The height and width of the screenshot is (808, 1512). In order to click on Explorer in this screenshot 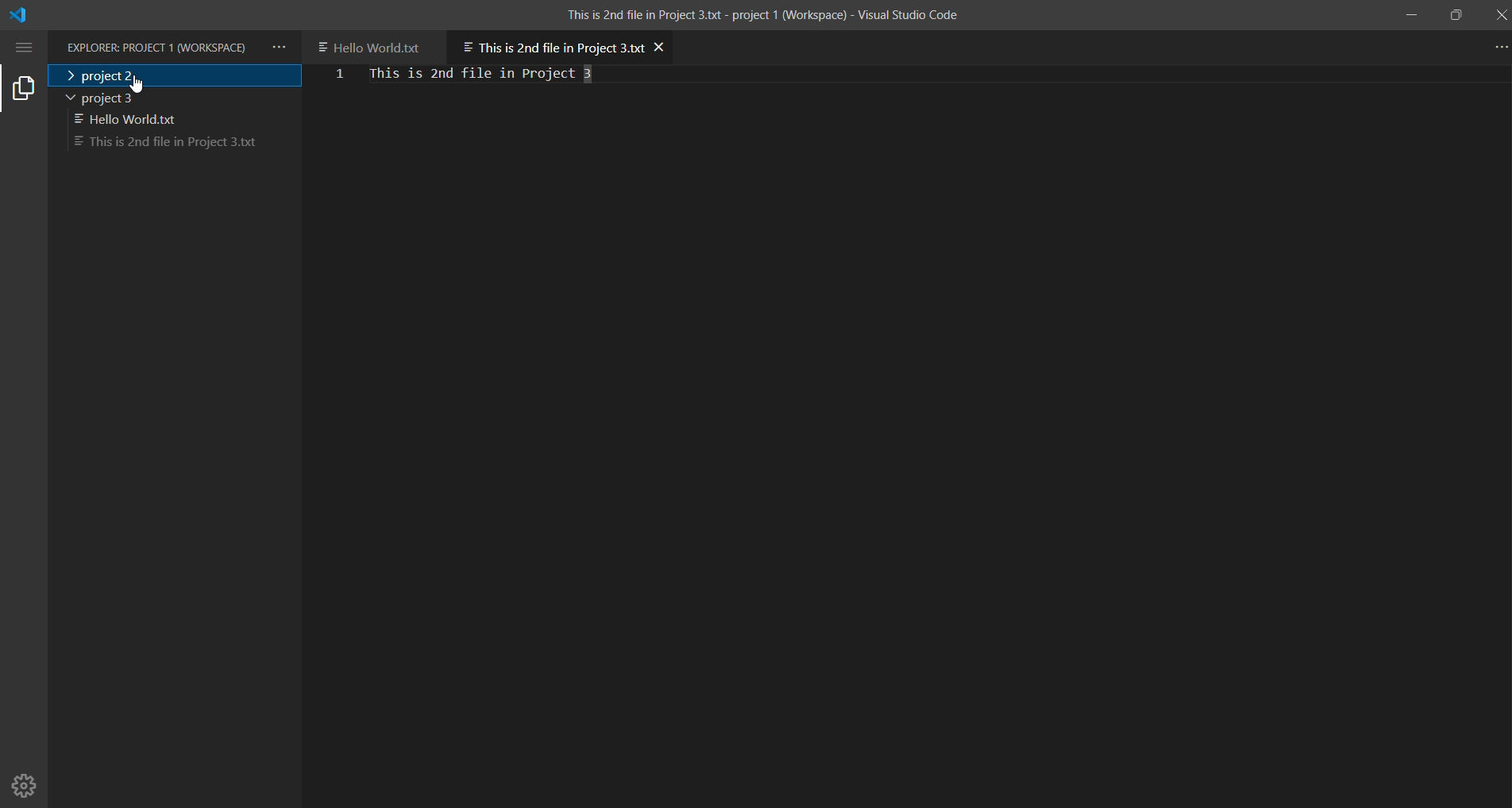, I will do `click(158, 48)`.